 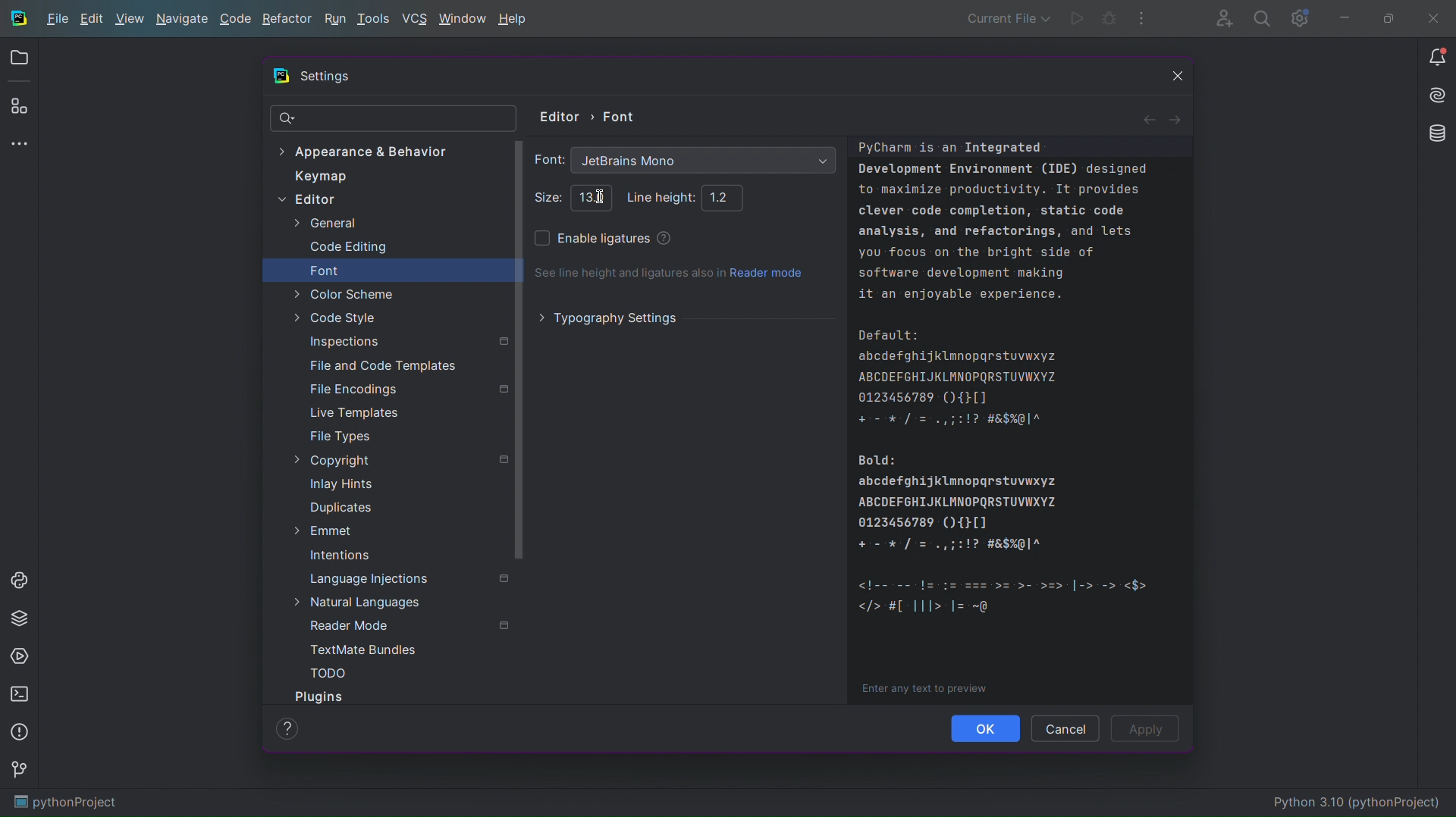 What do you see at coordinates (334, 20) in the screenshot?
I see `Run` at bounding box center [334, 20].